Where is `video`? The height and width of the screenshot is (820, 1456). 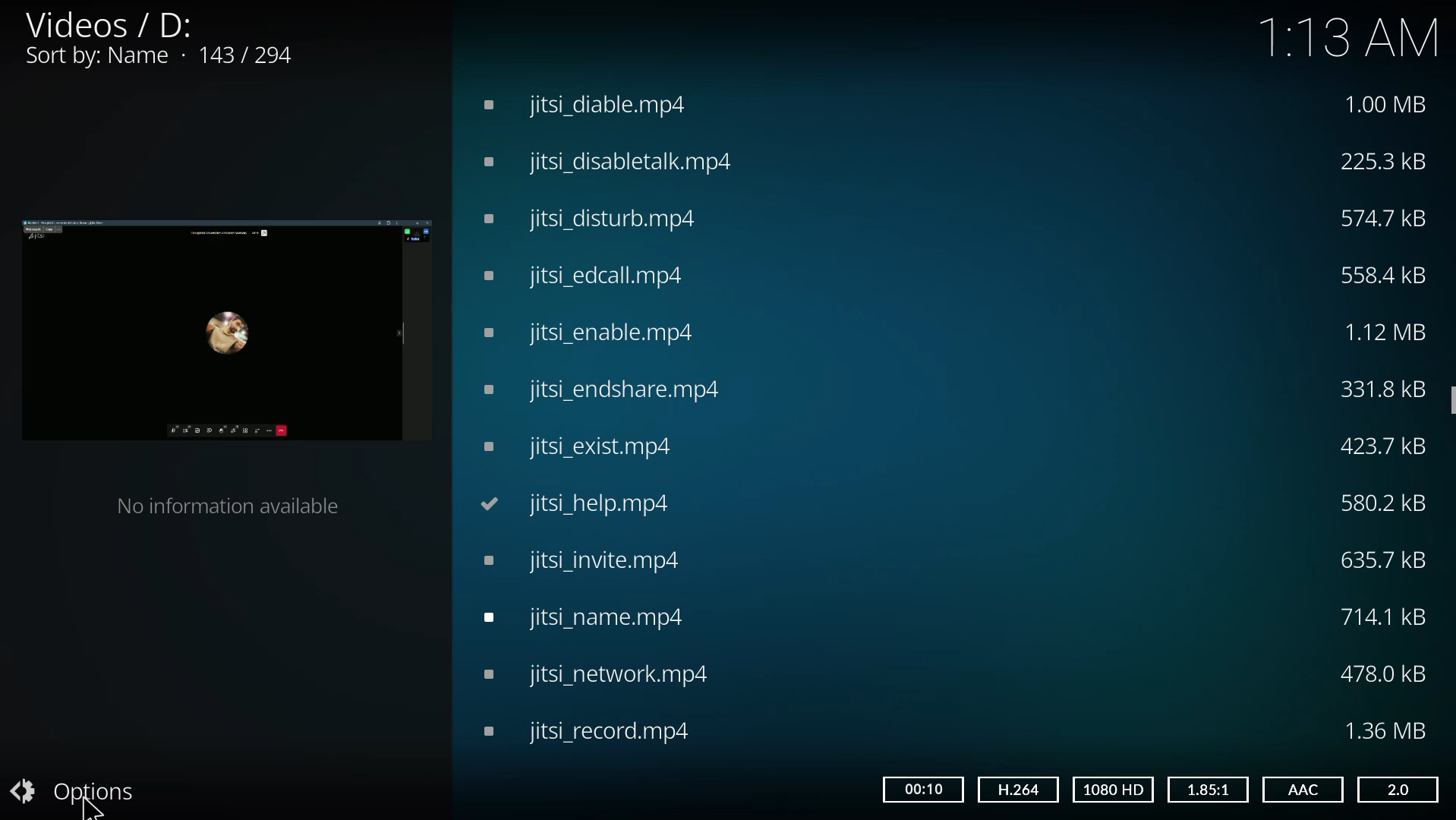 video is located at coordinates (594, 333).